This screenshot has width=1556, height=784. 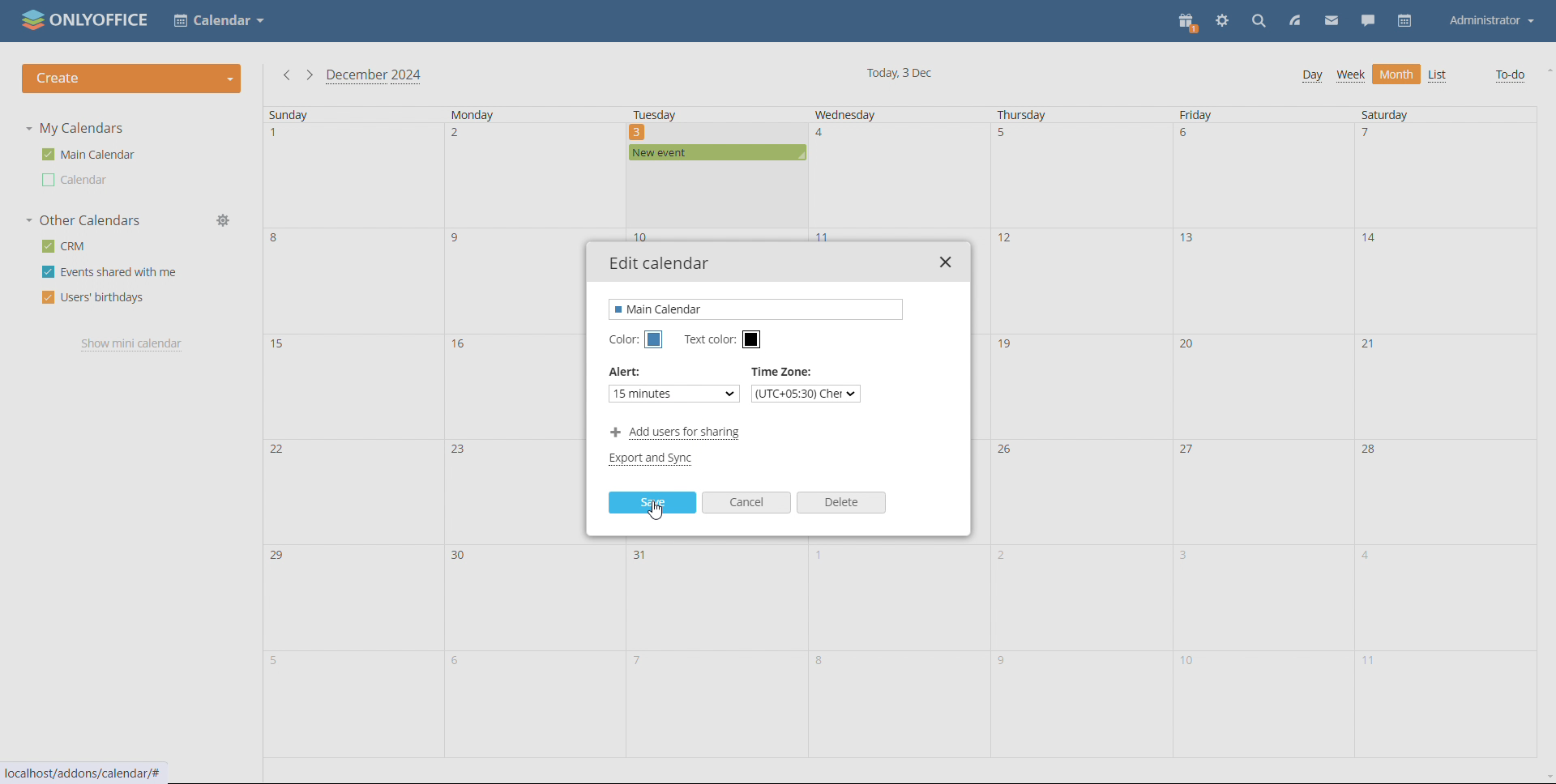 I want to click on Saturday, so click(x=1409, y=114).